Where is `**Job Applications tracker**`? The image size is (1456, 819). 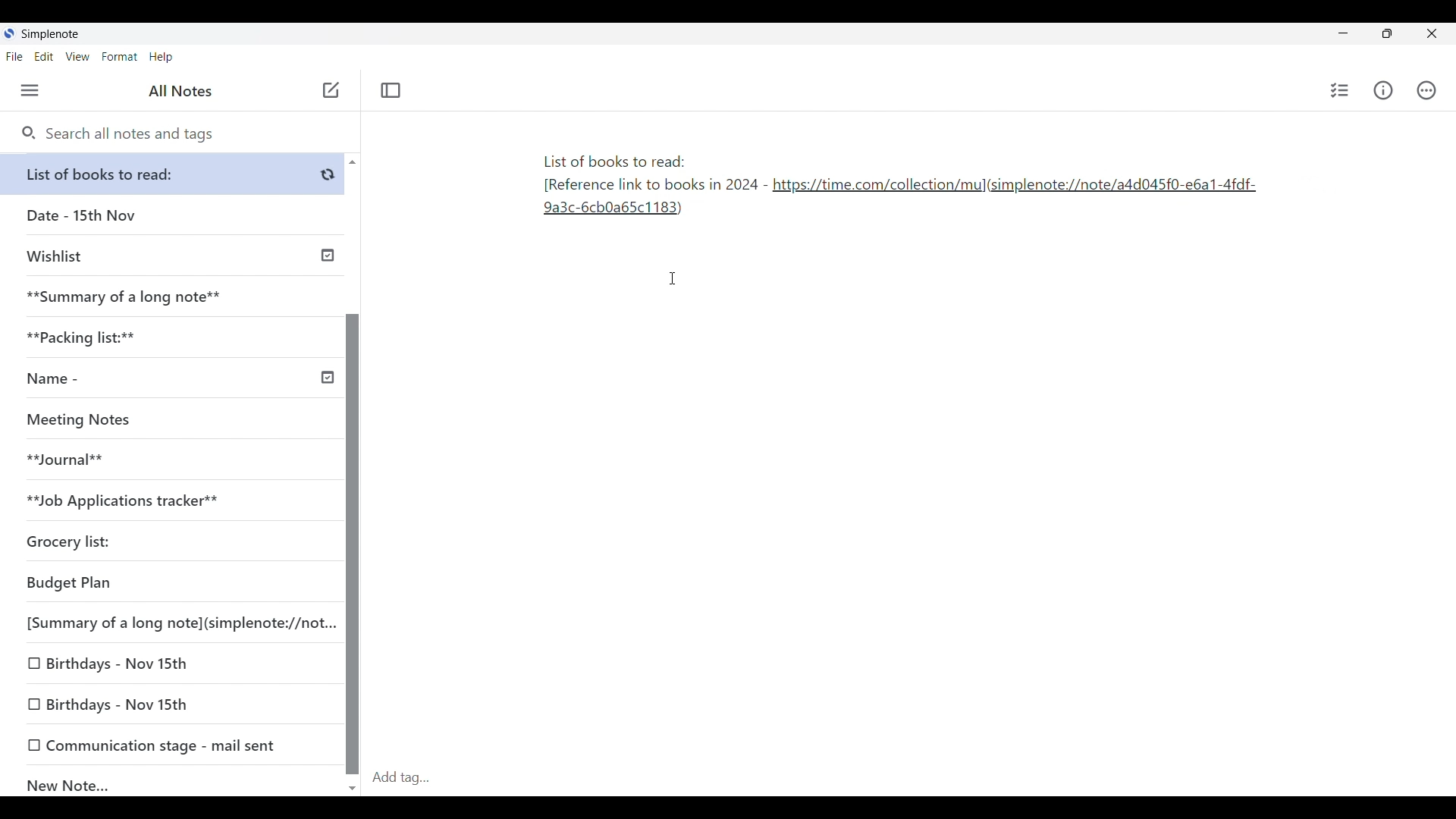 **Job Applications tracker** is located at coordinates (167, 501).